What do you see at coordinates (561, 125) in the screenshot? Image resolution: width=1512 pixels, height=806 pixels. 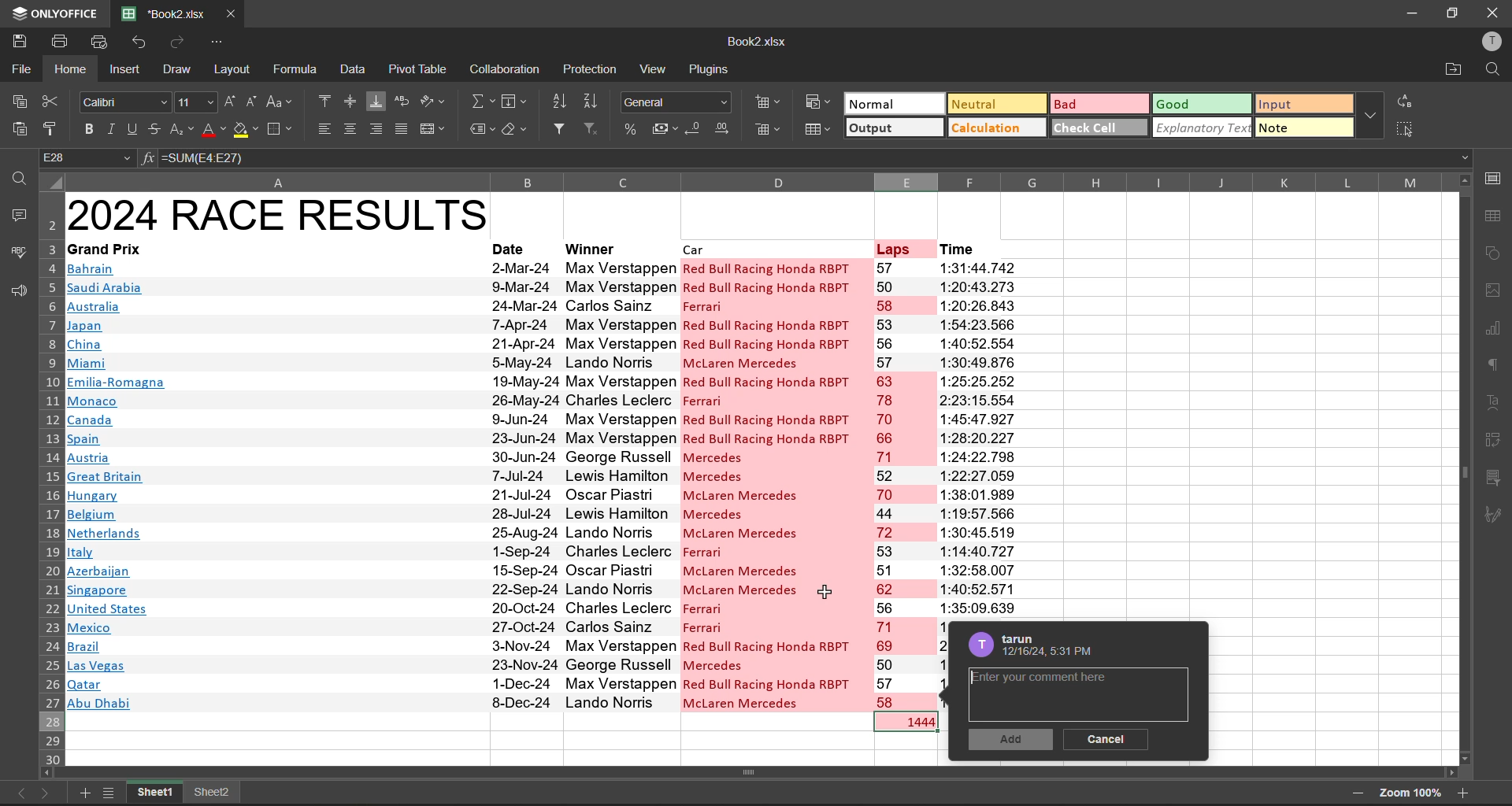 I see `filter` at bounding box center [561, 125].